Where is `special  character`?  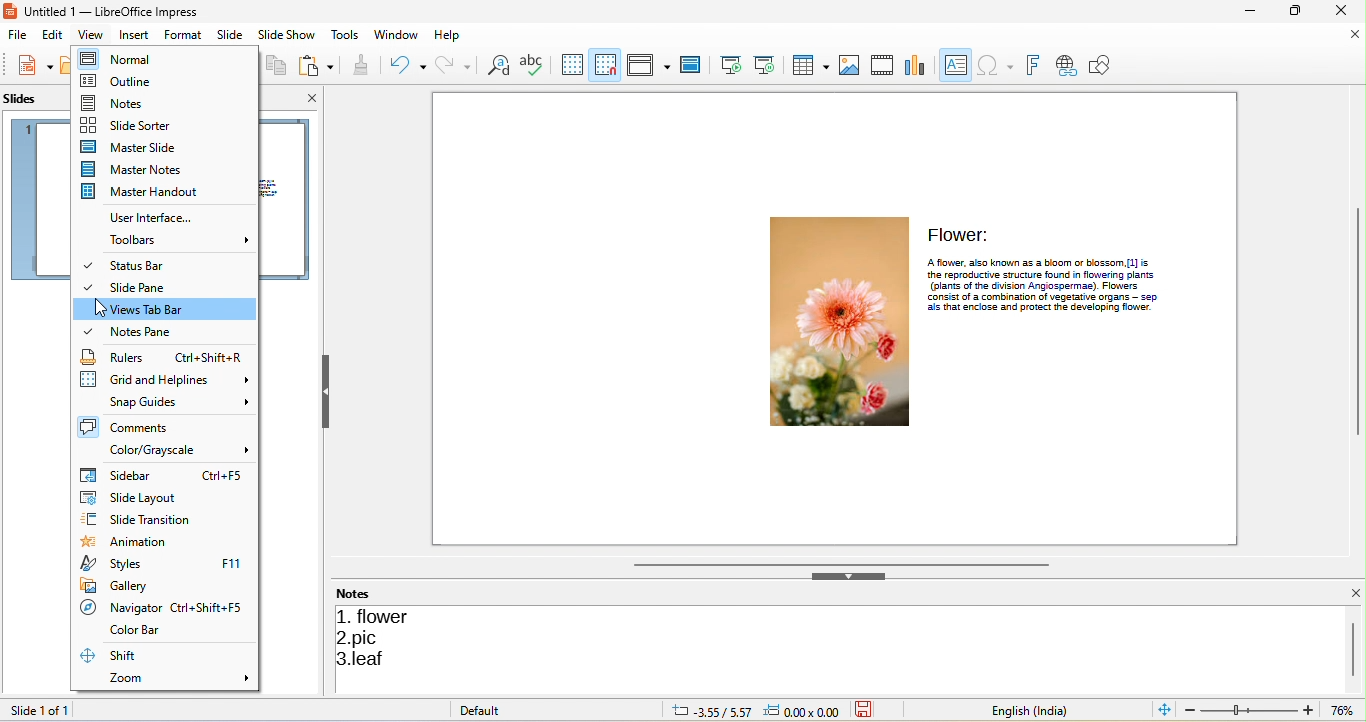
special  character is located at coordinates (995, 65).